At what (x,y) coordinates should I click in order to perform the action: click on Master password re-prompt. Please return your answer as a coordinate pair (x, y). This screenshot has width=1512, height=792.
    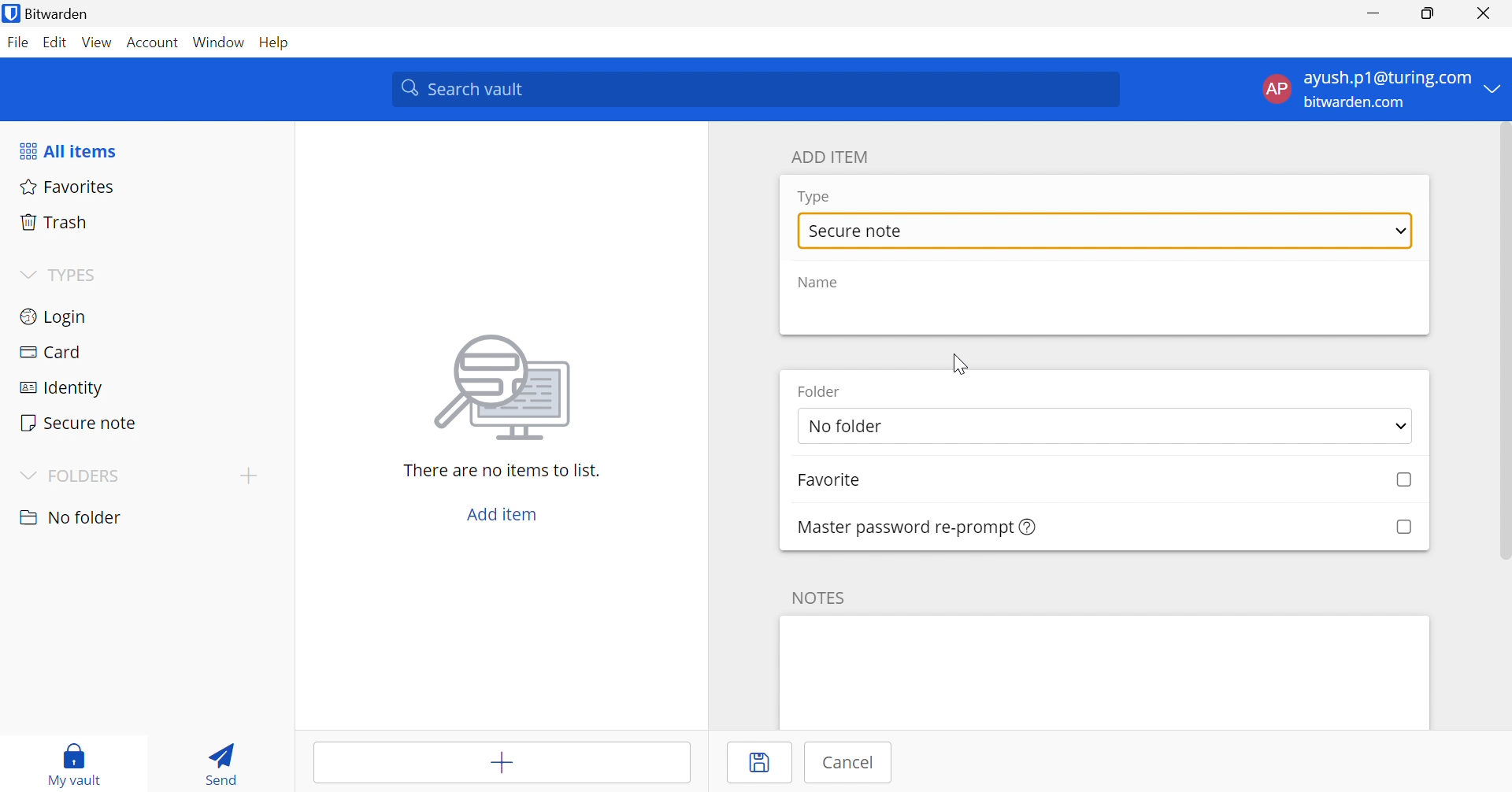
    Looking at the image, I should click on (917, 527).